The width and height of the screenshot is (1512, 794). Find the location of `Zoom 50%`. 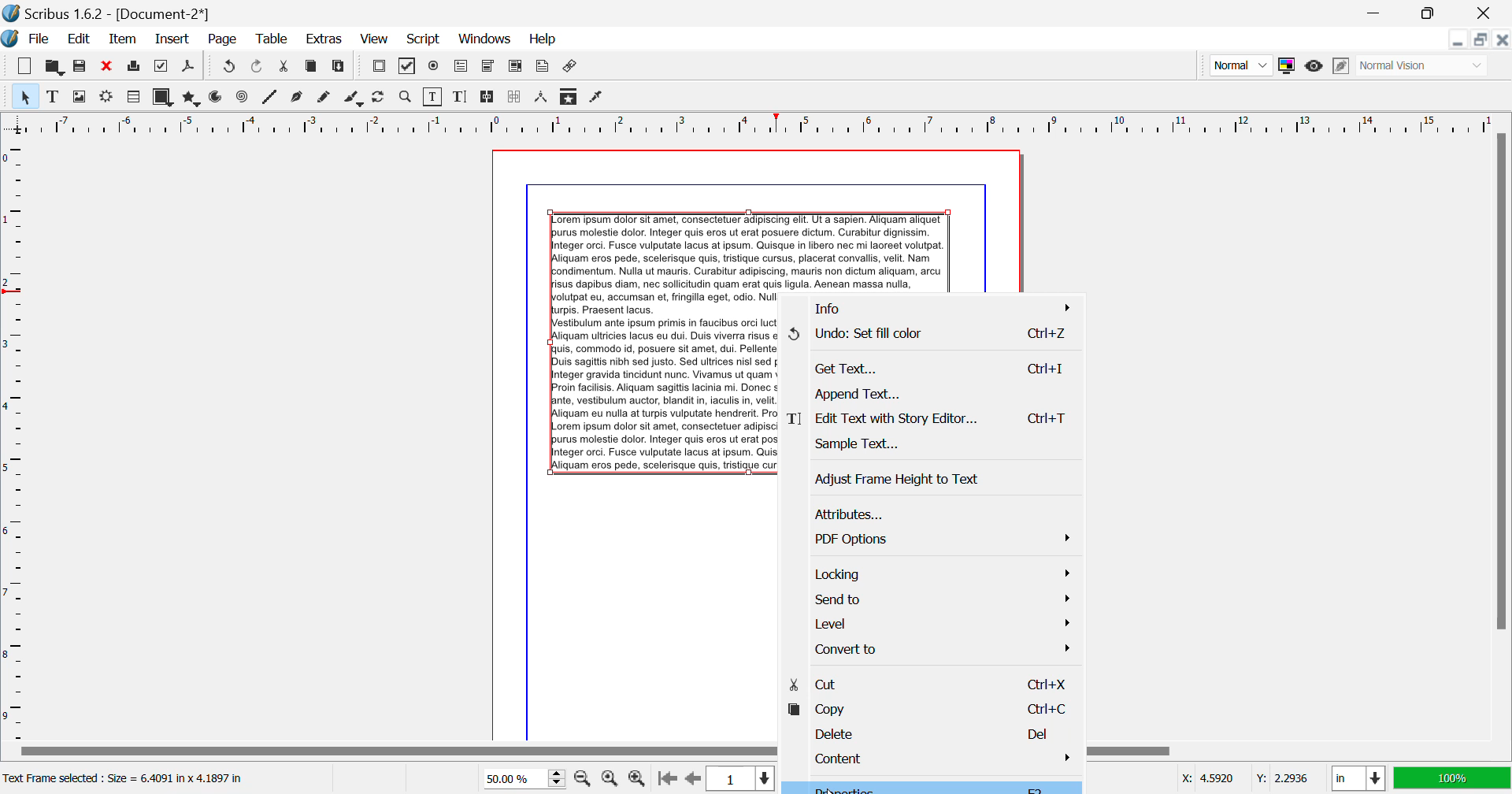

Zoom 50% is located at coordinates (518, 778).